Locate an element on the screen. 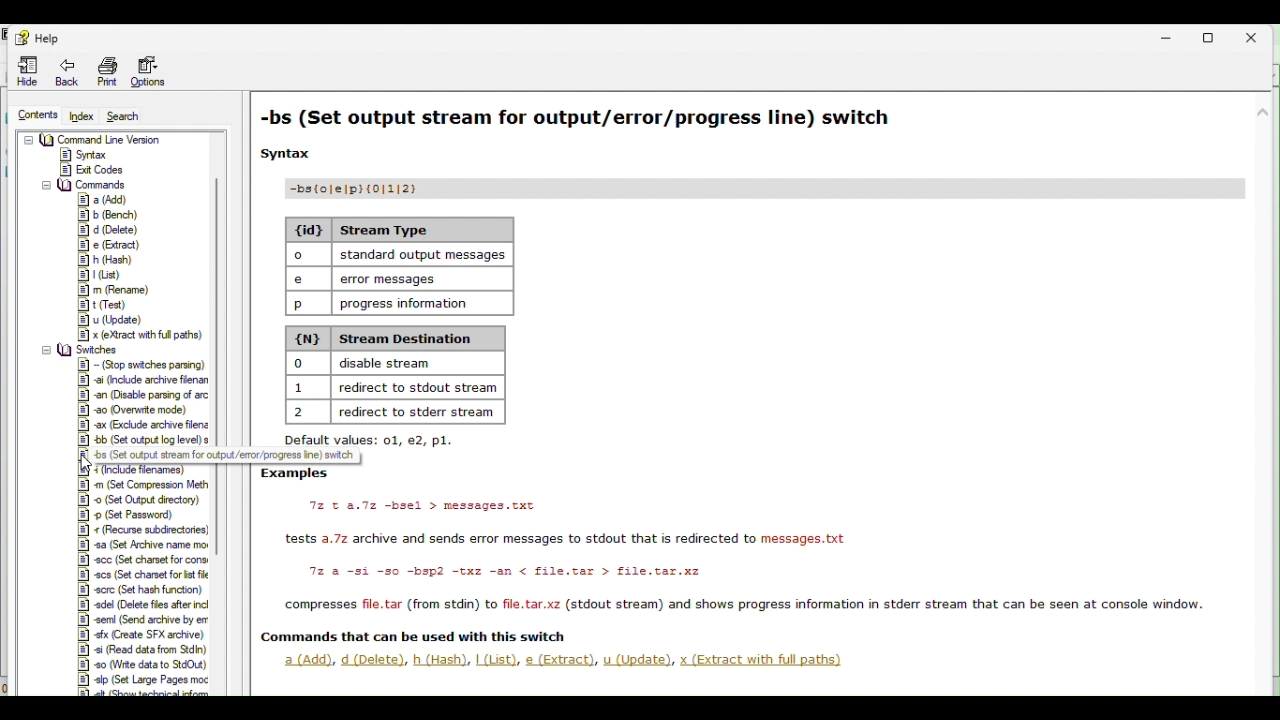  Back is located at coordinates (72, 76).